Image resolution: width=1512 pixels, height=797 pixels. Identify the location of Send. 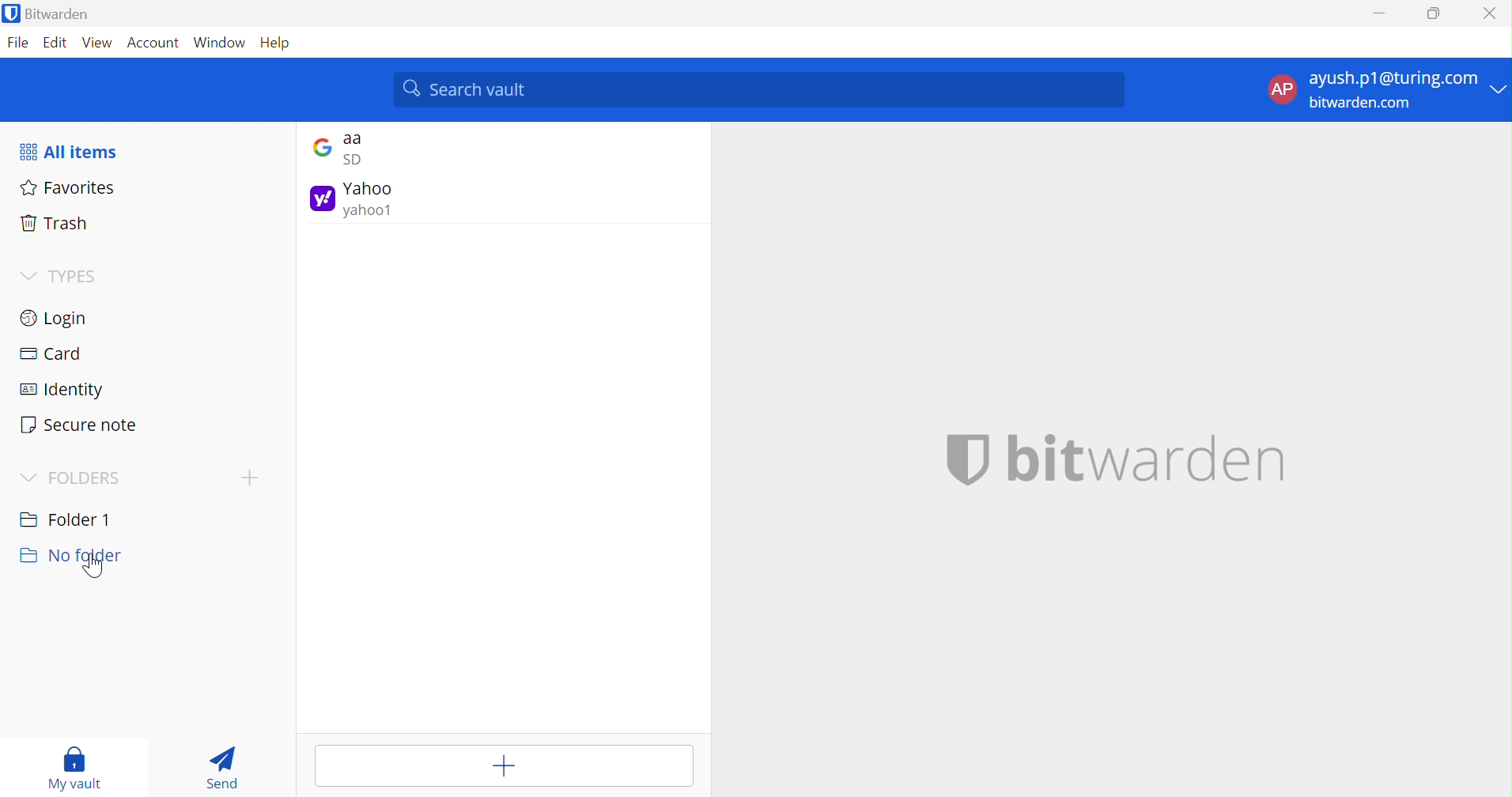
(222, 764).